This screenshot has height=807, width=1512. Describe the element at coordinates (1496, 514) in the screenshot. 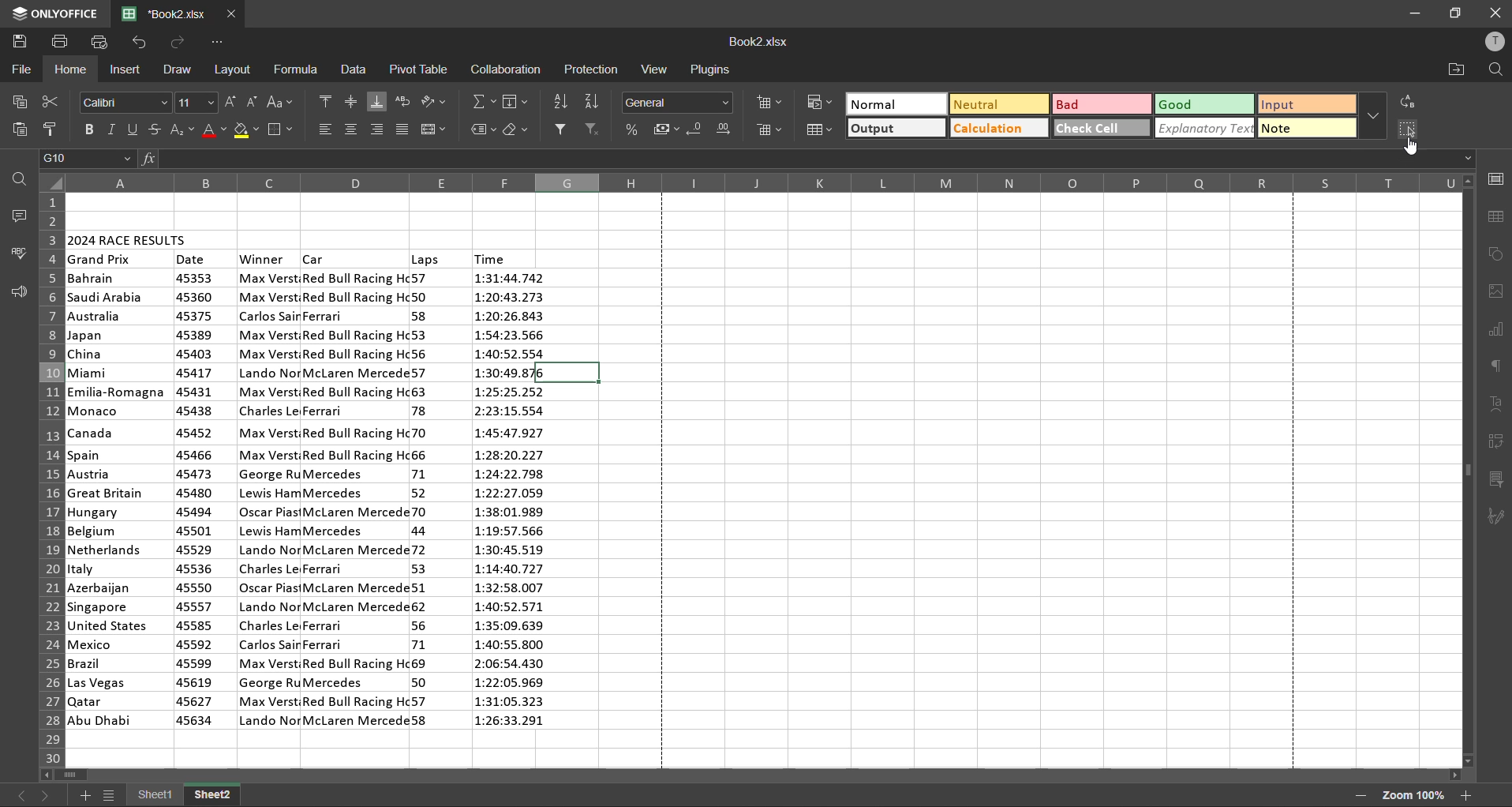

I see `signature` at that location.